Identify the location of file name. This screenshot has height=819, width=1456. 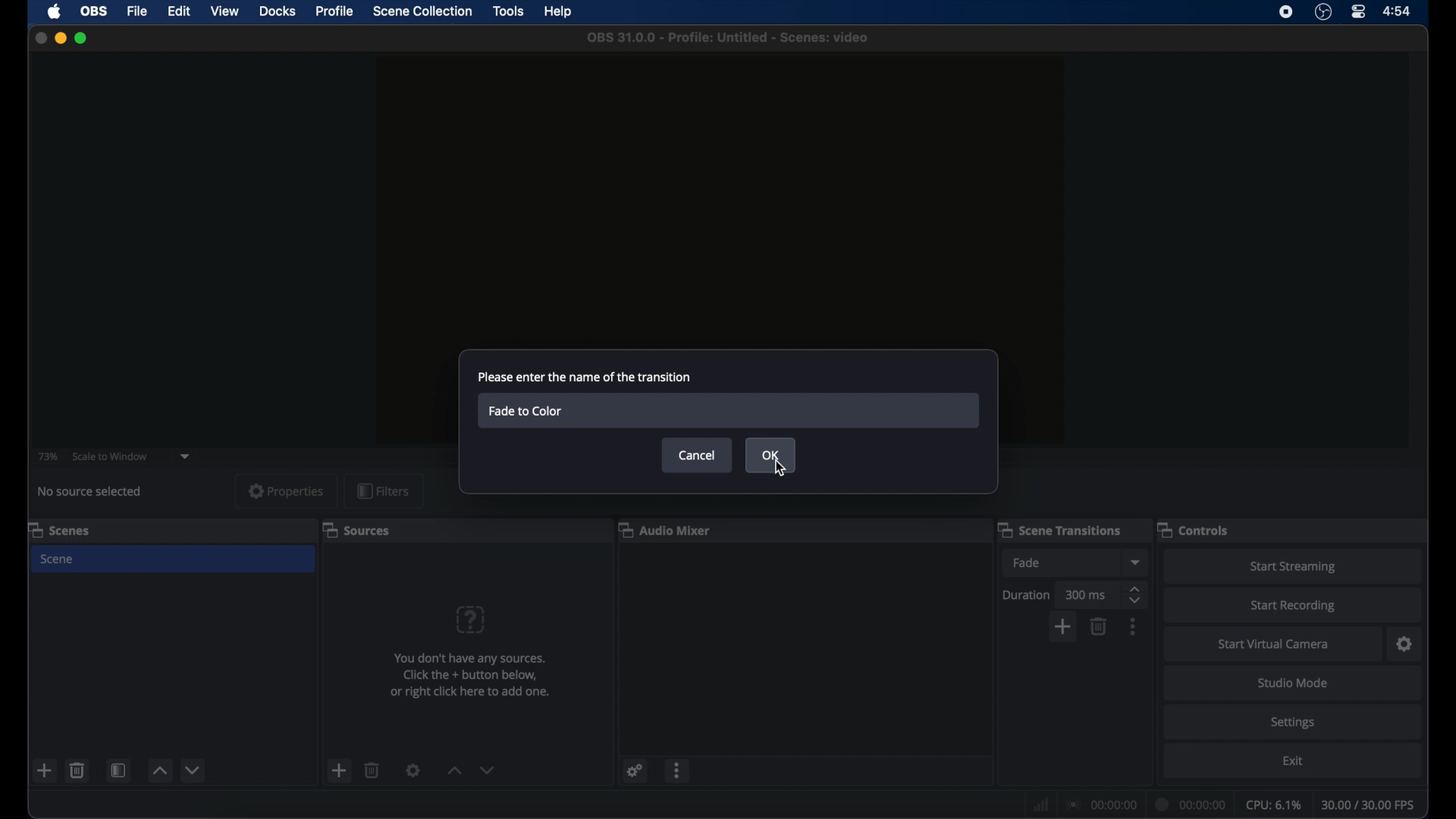
(728, 38).